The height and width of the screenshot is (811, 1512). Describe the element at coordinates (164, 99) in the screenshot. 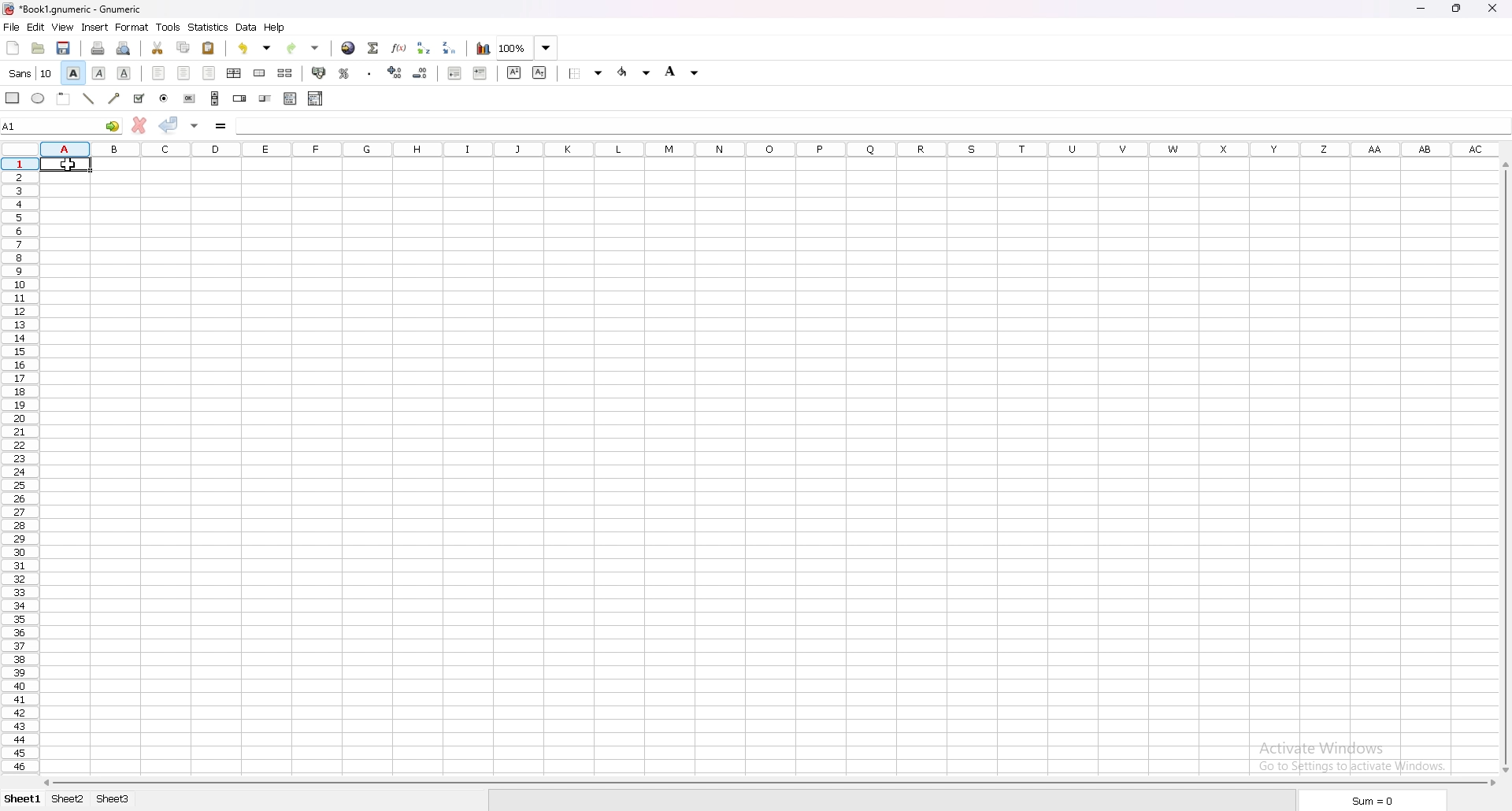

I see `radio button` at that location.